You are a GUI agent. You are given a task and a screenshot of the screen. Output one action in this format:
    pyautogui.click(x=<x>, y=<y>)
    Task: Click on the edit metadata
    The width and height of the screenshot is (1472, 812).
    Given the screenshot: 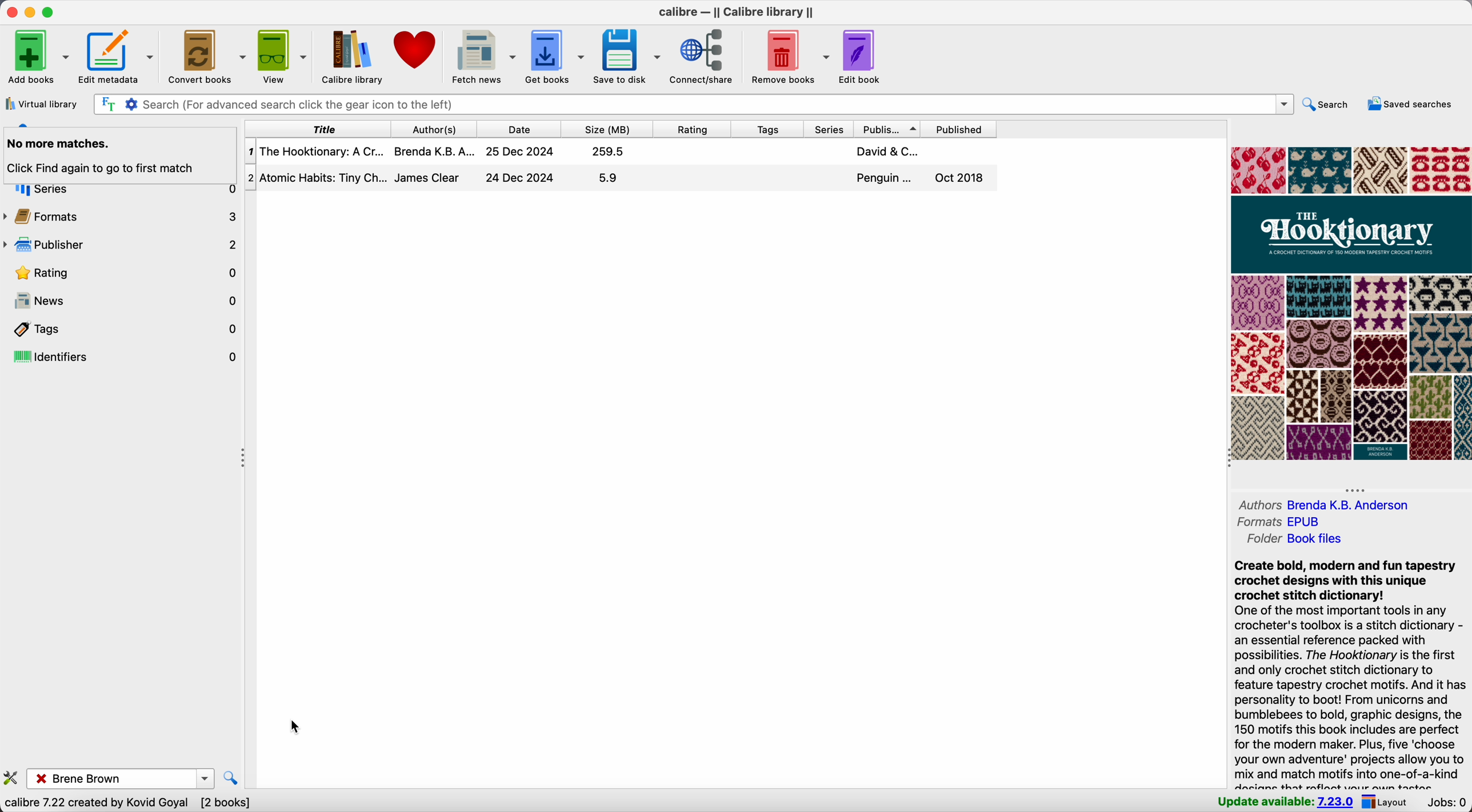 What is the action you would take?
    pyautogui.click(x=119, y=56)
    